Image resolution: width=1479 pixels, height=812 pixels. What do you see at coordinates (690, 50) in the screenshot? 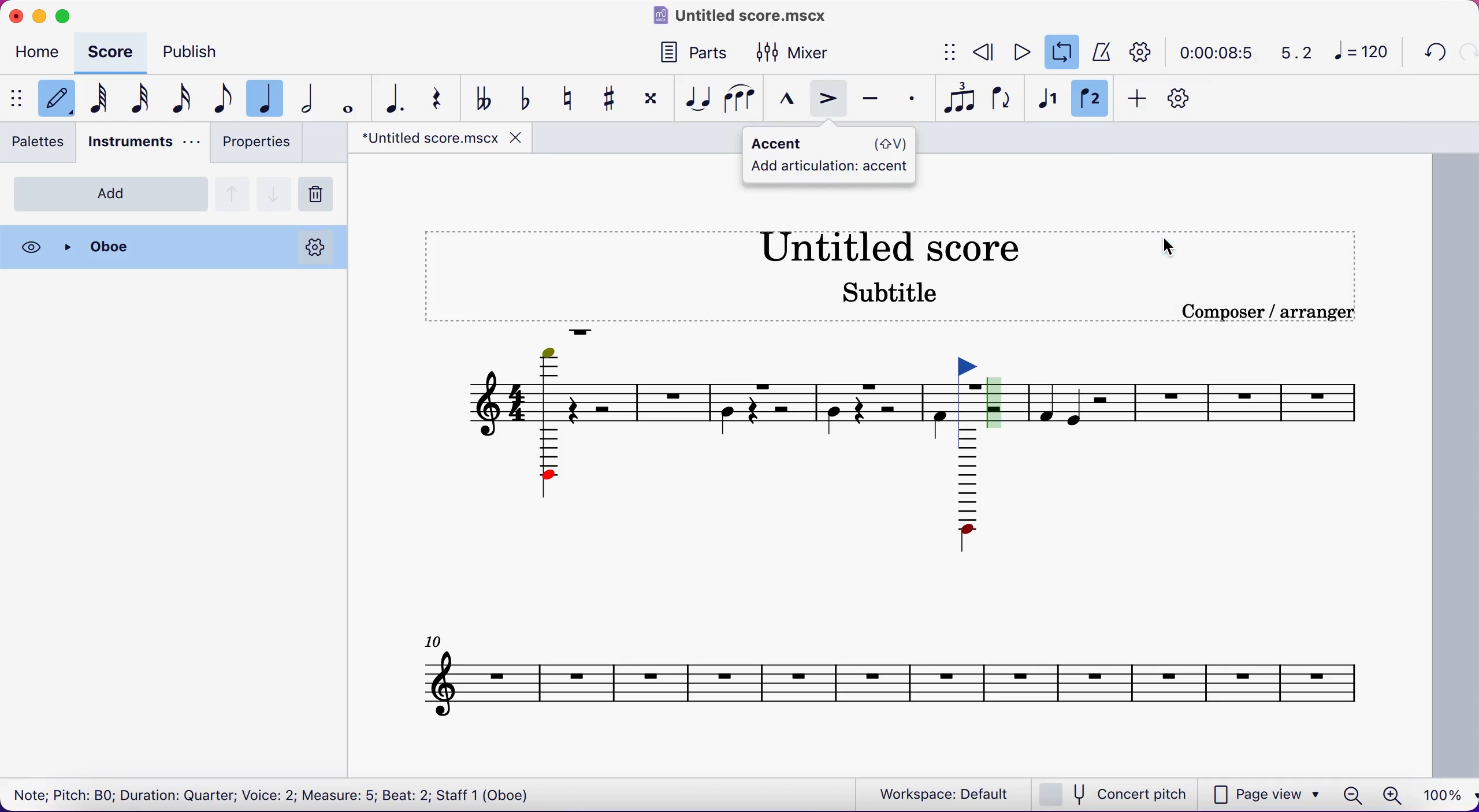
I see `parts` at bounding box center [690, 50].